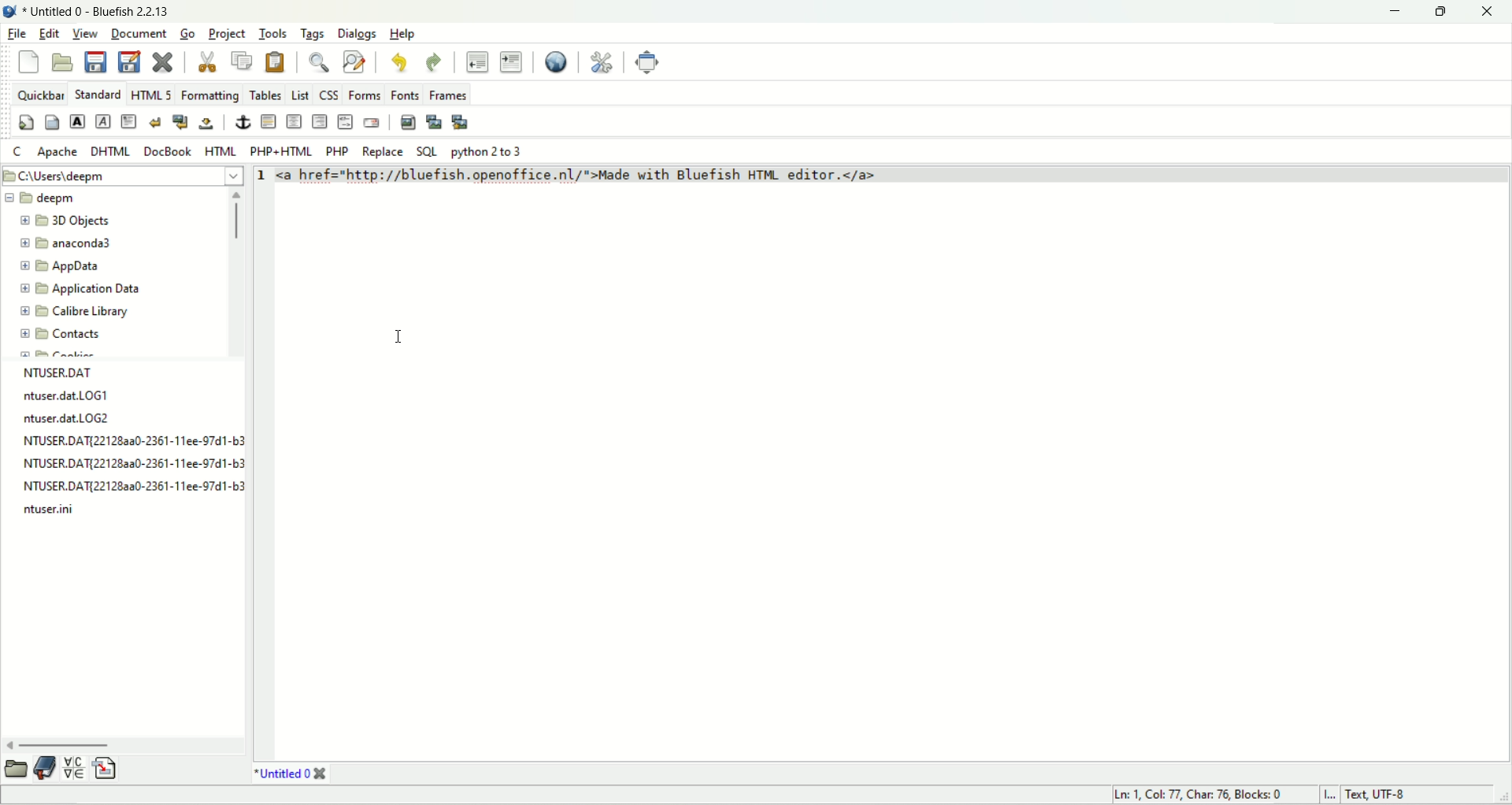 The width and height of the screenshot is (1512, 805). Describe the element at coordinates (339, 151) in the screenshot. I see `PHP` at that location.